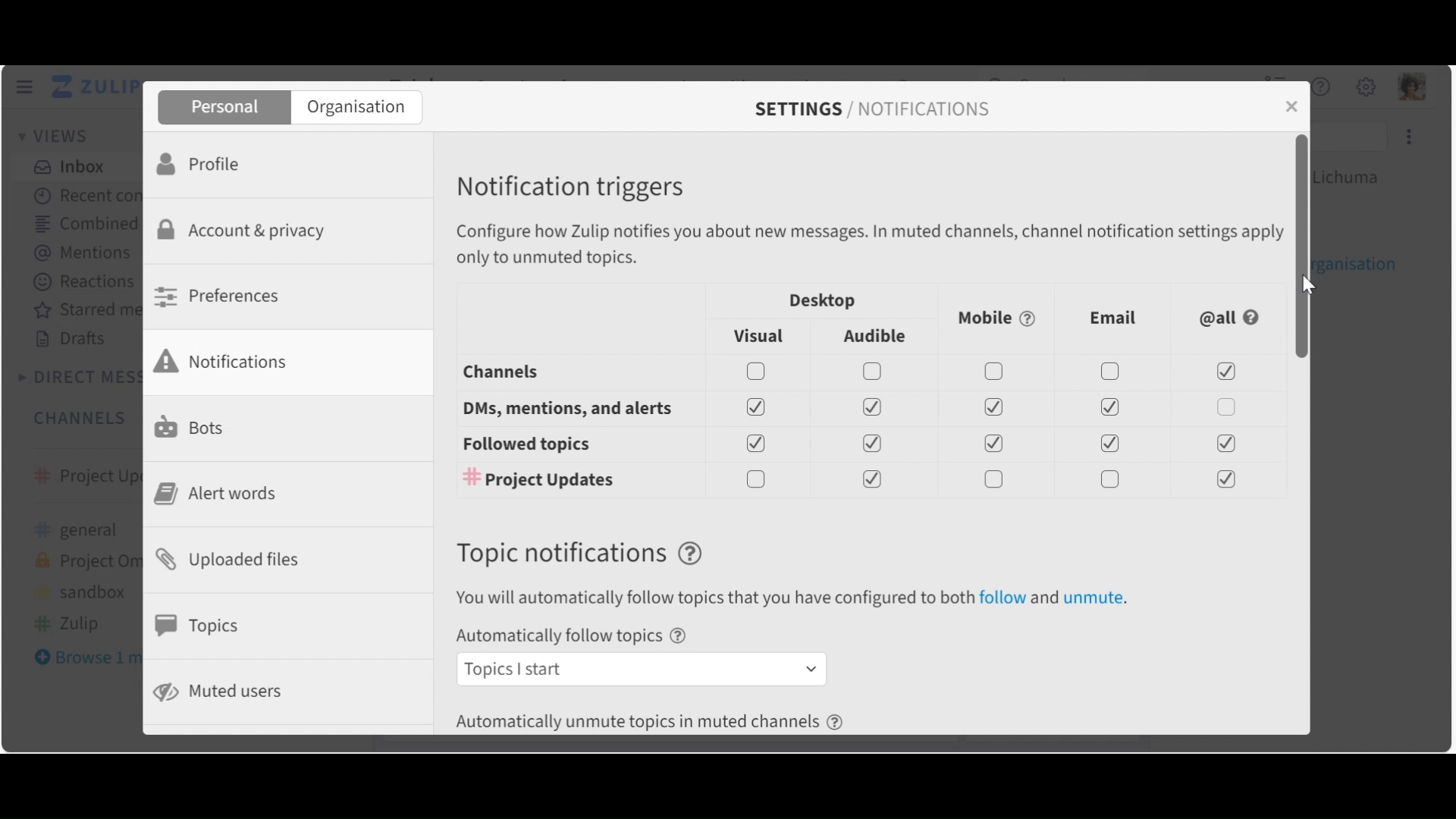 This screenshot has height=819, width=1456. What do you see at coordinates (880, 109) in the screenshot?
I see `Settings/Notifications` at bounding box center [880, 109].